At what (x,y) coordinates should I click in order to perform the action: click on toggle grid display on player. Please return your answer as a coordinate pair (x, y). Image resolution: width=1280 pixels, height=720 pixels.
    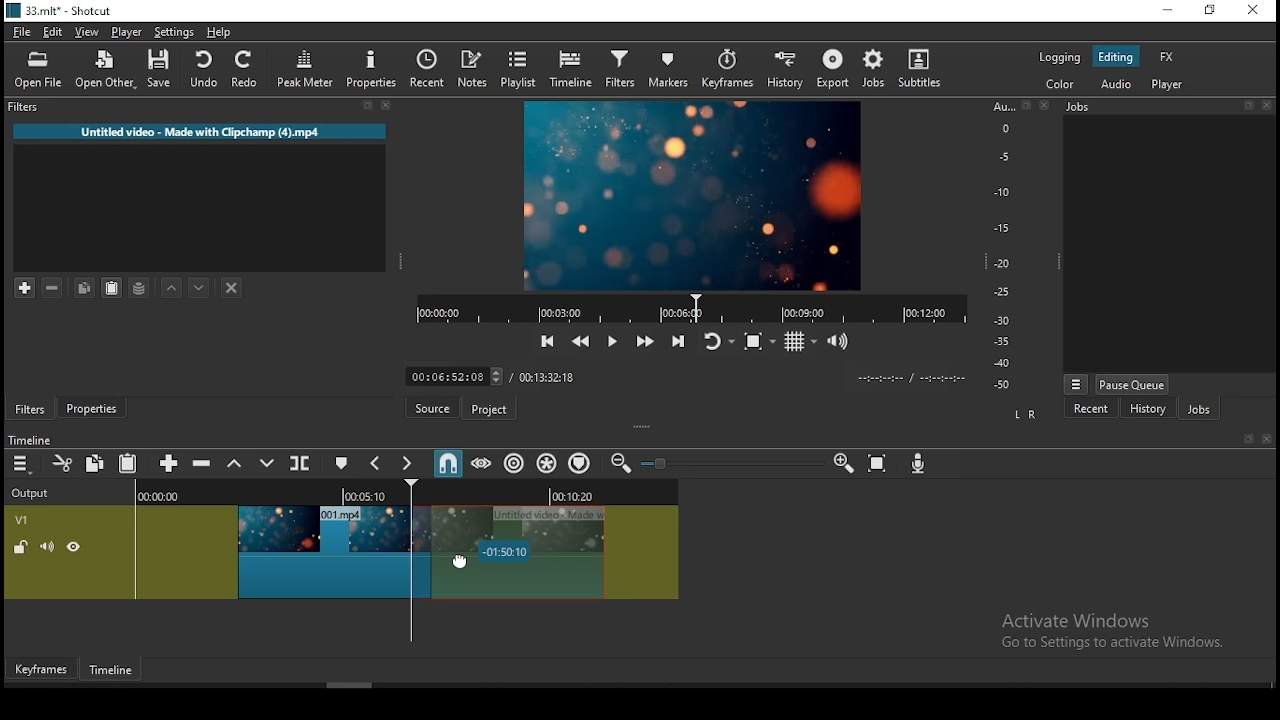
    Looking at the image, I should click on (805, 340).